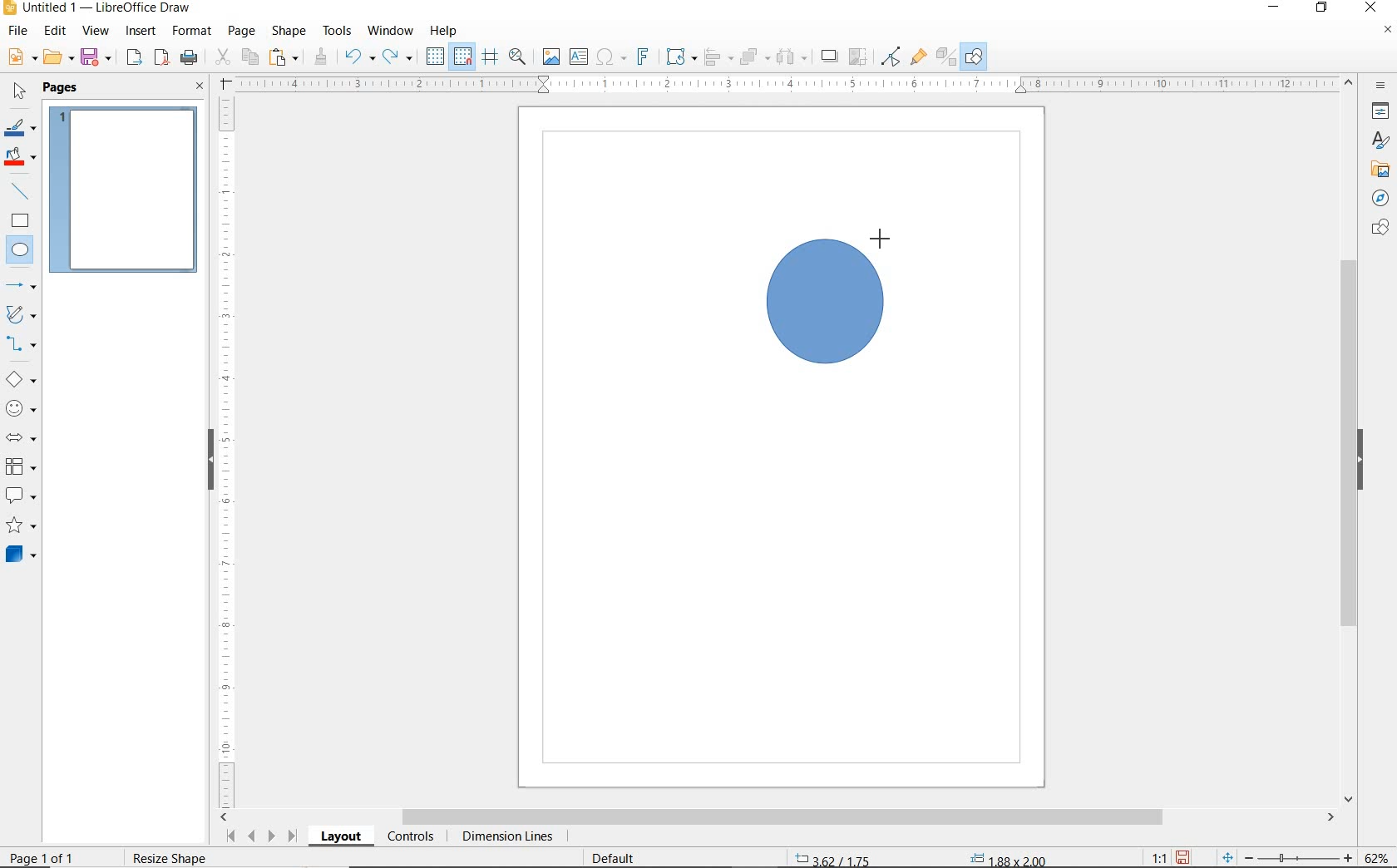 This screenshot has height=868, width=1397. What do you see at coordinates (505, 838) in the screenshot?
I see `DIMENSION LINES` at bounding box center [505, 838].